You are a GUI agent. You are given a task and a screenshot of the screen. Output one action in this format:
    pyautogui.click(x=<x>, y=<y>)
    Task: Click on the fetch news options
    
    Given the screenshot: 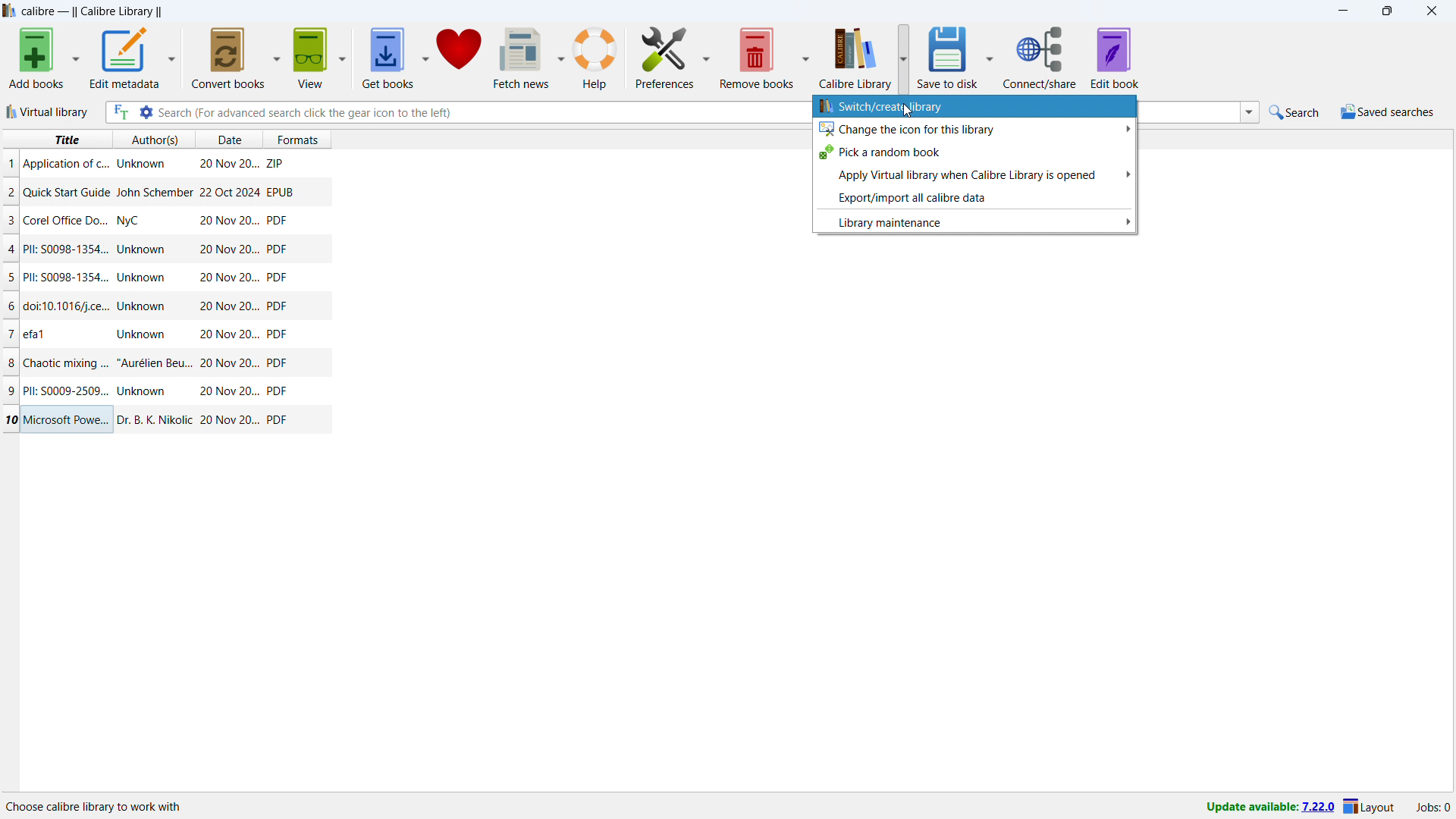 What is the action you would take?
    pyautogui.click(x=563, y=57)
    